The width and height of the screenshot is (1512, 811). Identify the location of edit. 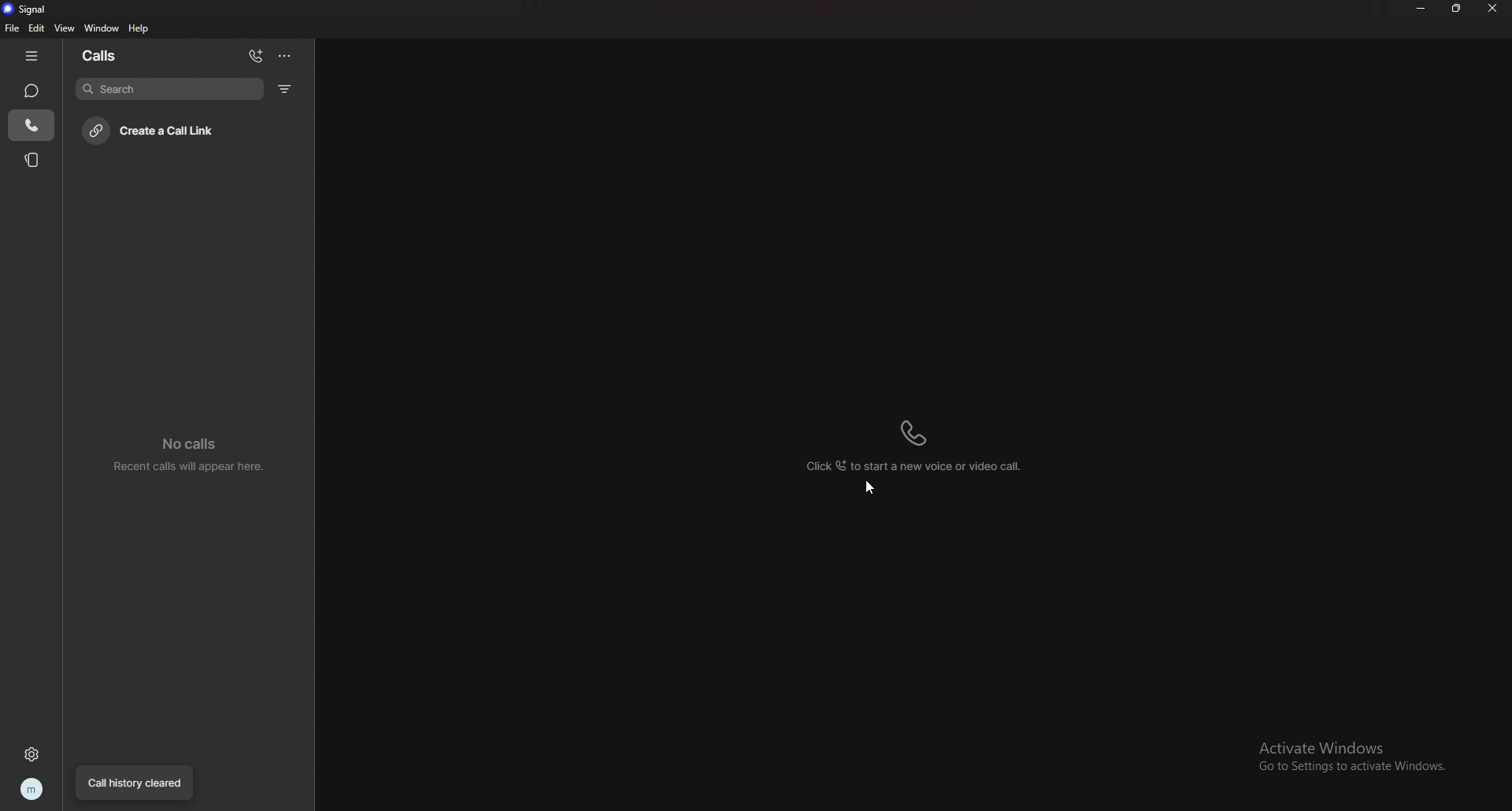
(38, 28).